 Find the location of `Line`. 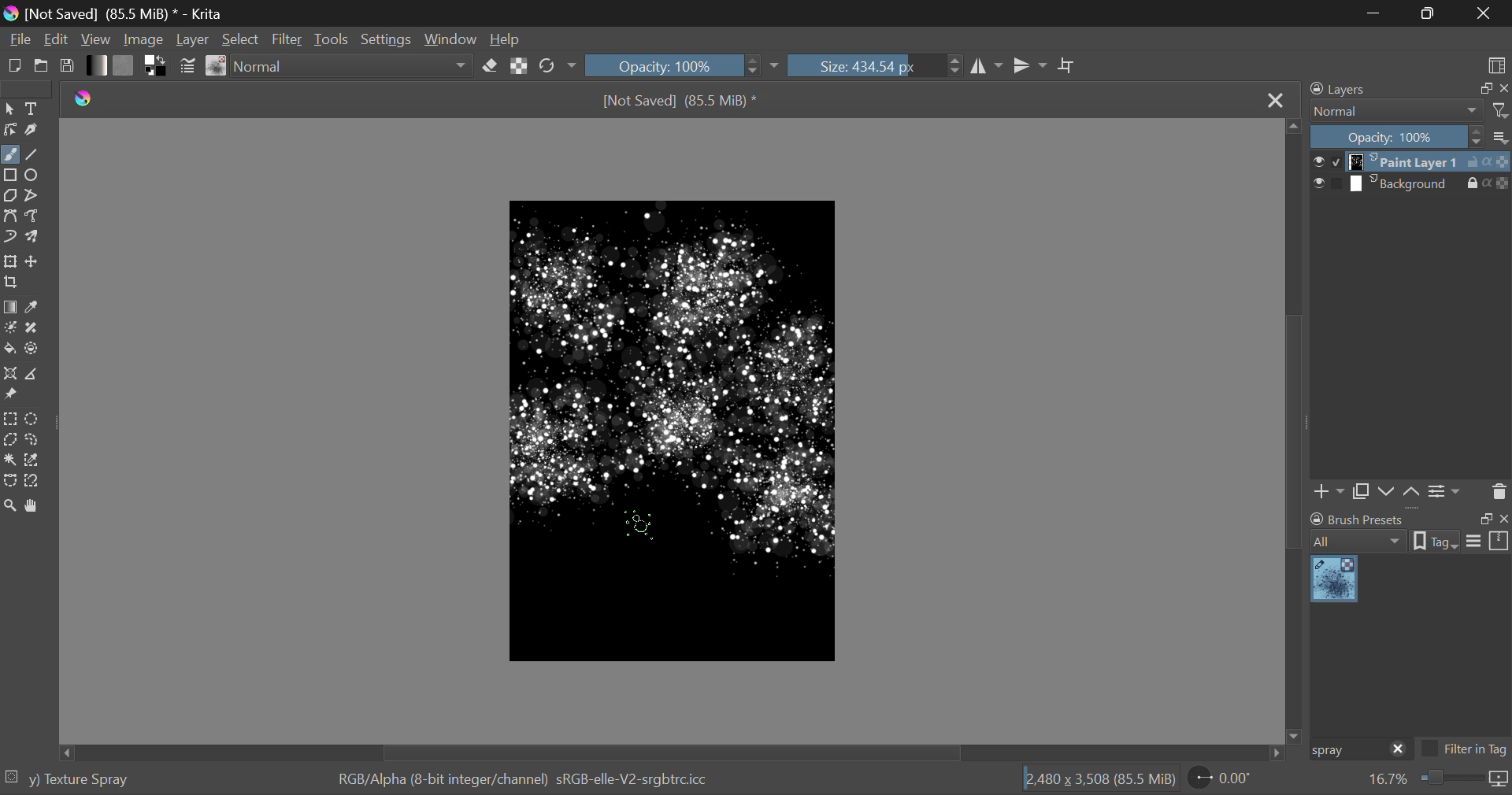

Line is located at coordinates (32, 156).